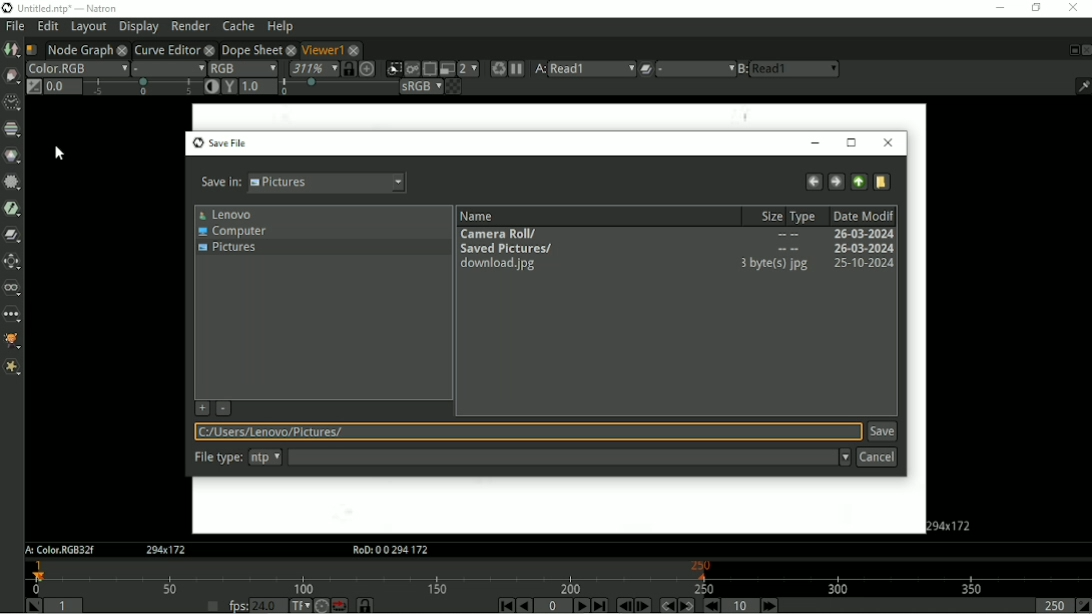 The width and height of the screenshot is (1092, 614). What do you see at coordinates (77, 69) in the screenshot?
I see `Layer` at bounding box center [77, 69].